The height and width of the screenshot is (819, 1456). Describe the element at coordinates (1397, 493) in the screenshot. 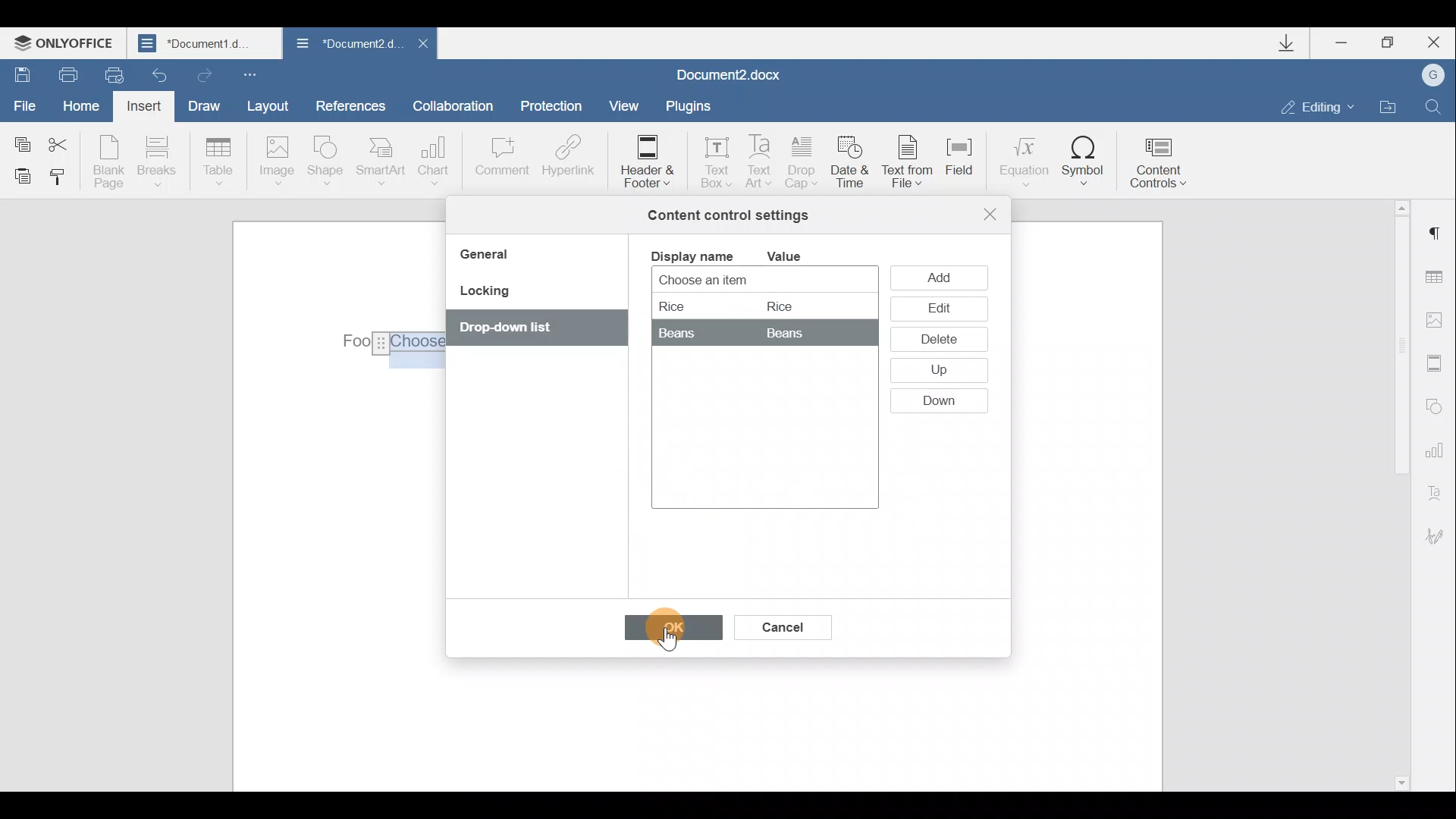

I see `Scroll bar` at that location.